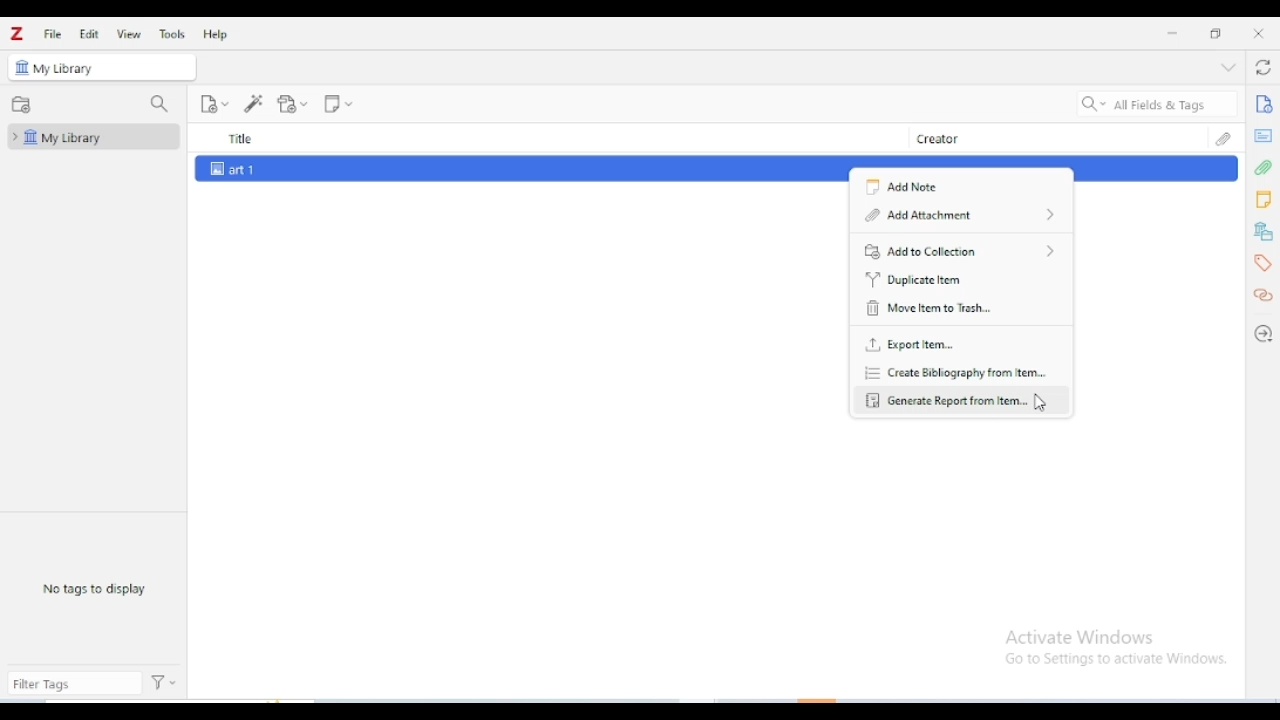 Image resolution: width=1280 pixels, height=720 pixels. I want to click on export item, so click(910, 345).